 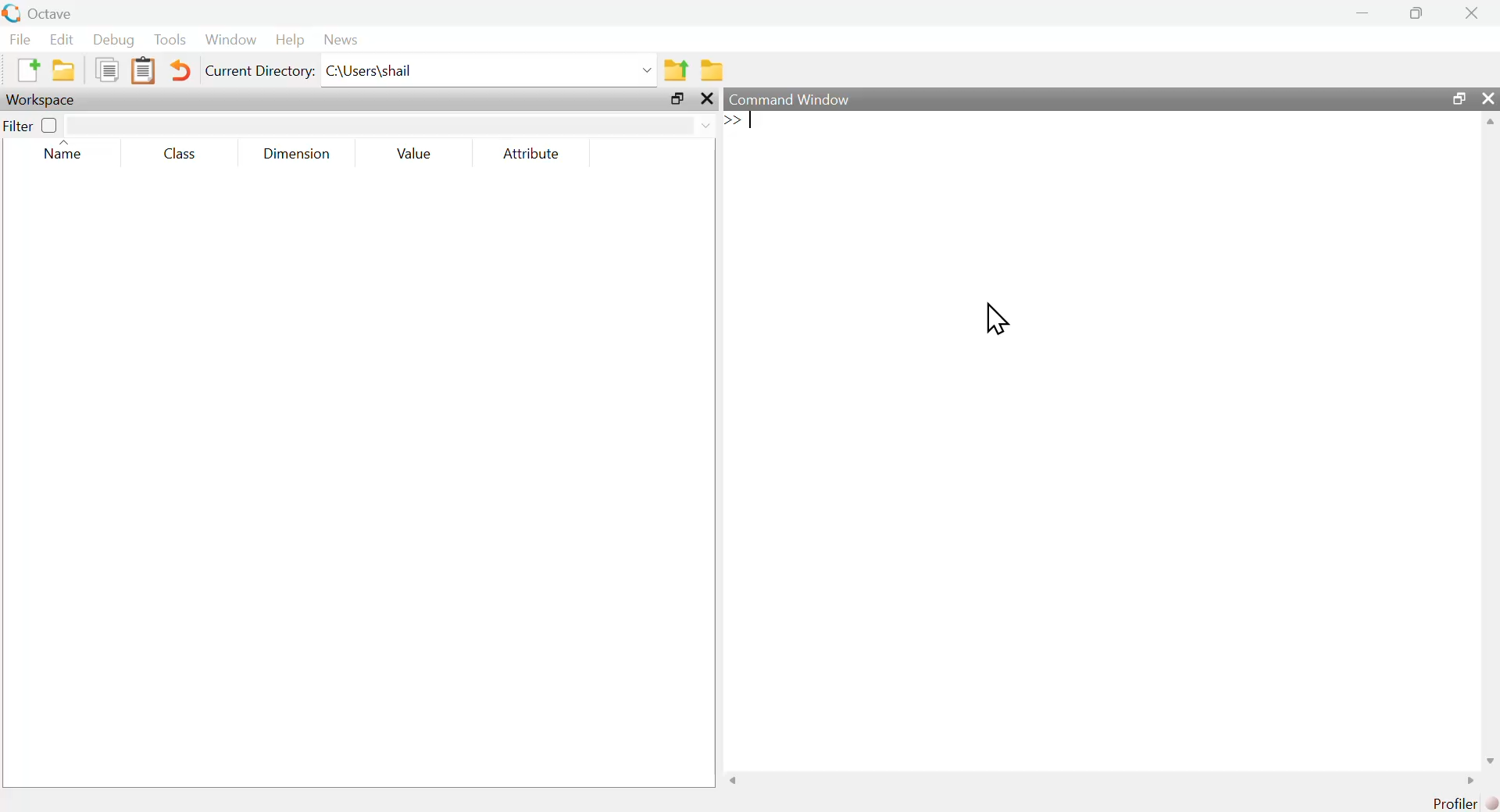 What do you see at coordinates (707, 100) in the screenshot?
I see `close` at bounding box center [707, 100].